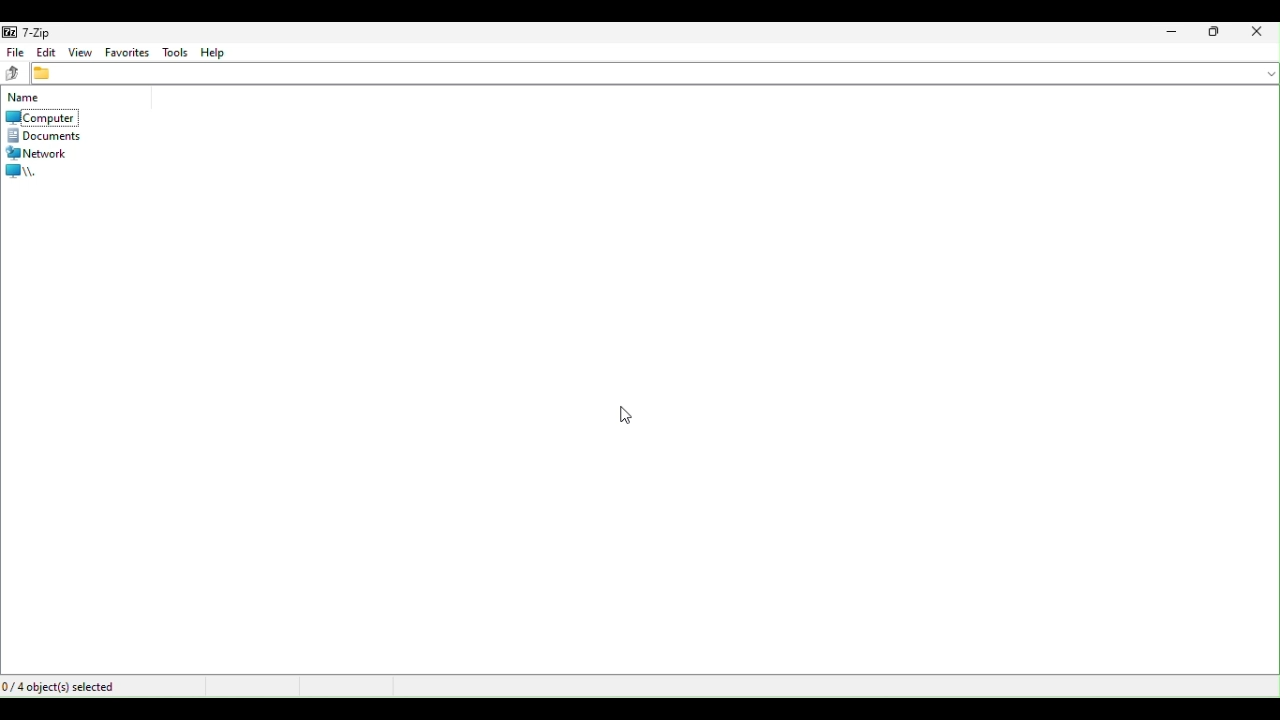 The width and height of the screenshot is (1280, 720). What do you see at coordinates (47, 52) in the screenshot?
I see `Edit` at bounding box center [47, 52].